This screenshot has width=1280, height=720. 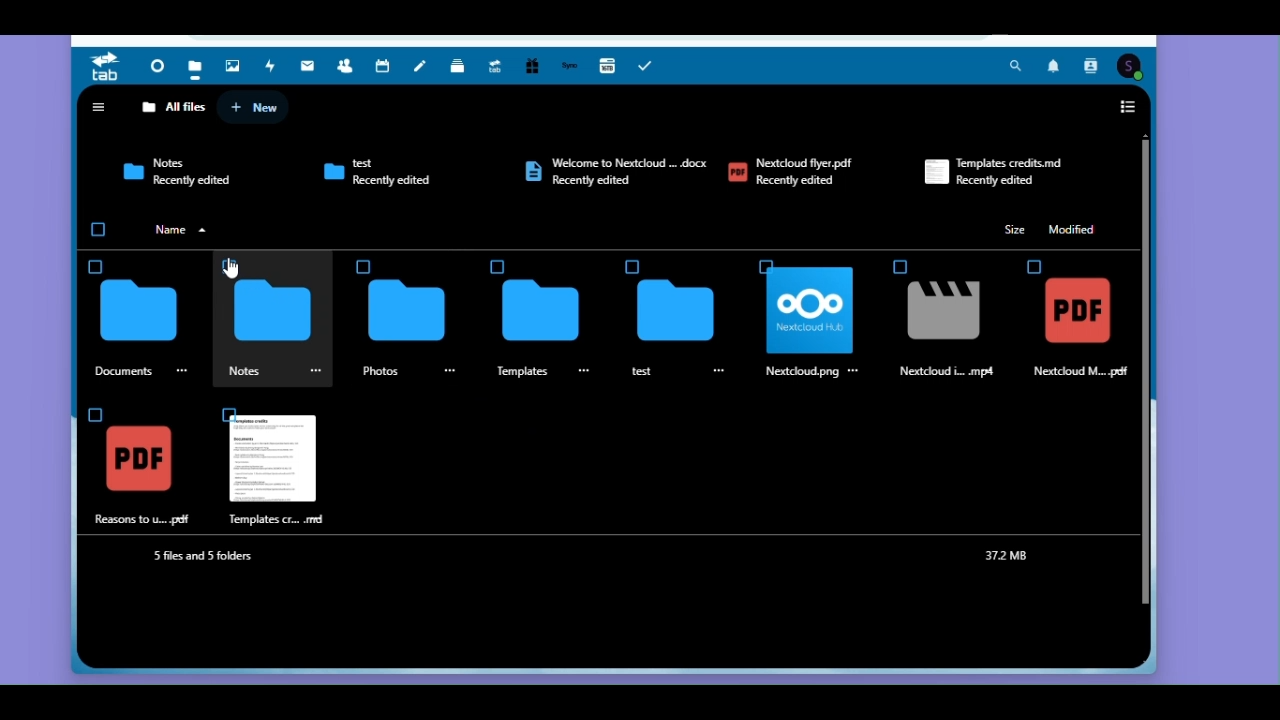 I want to click on New, so click(x=255, y=106).